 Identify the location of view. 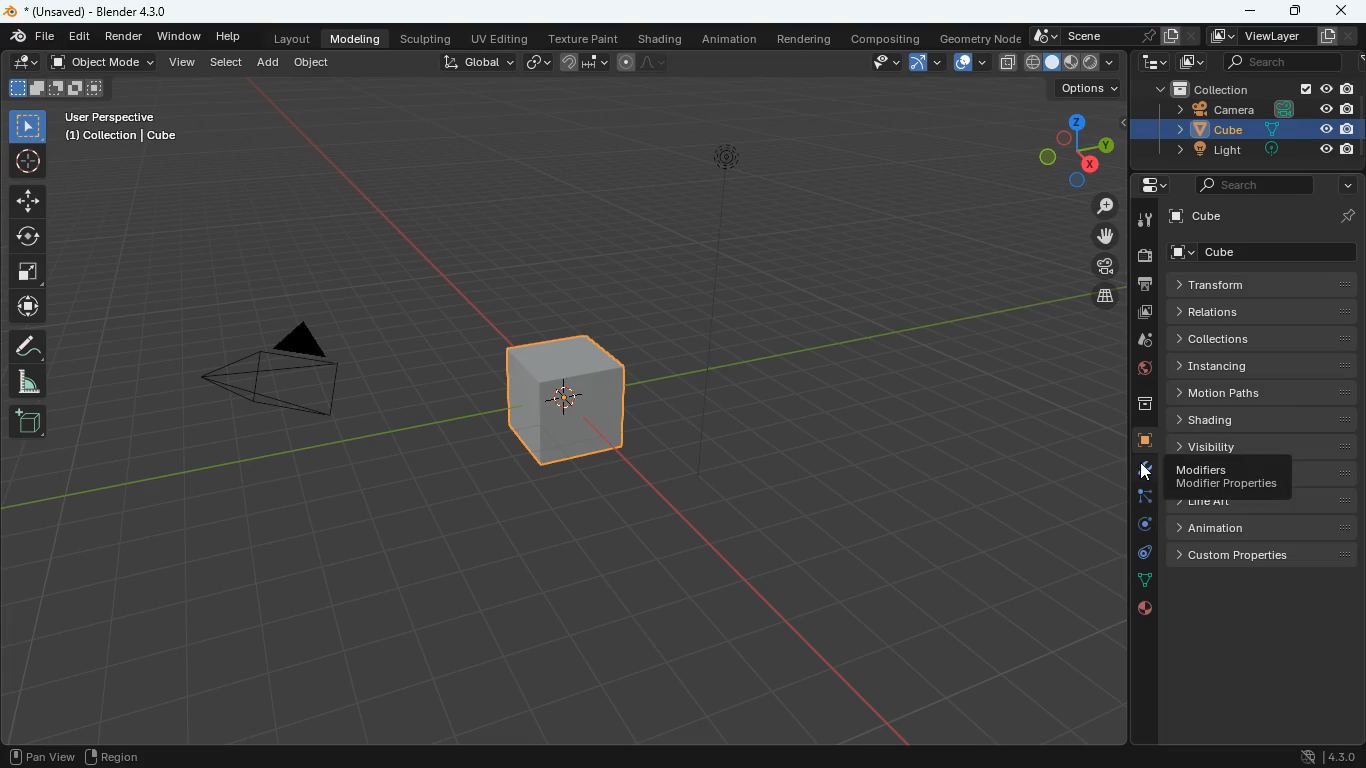
(872, 63).